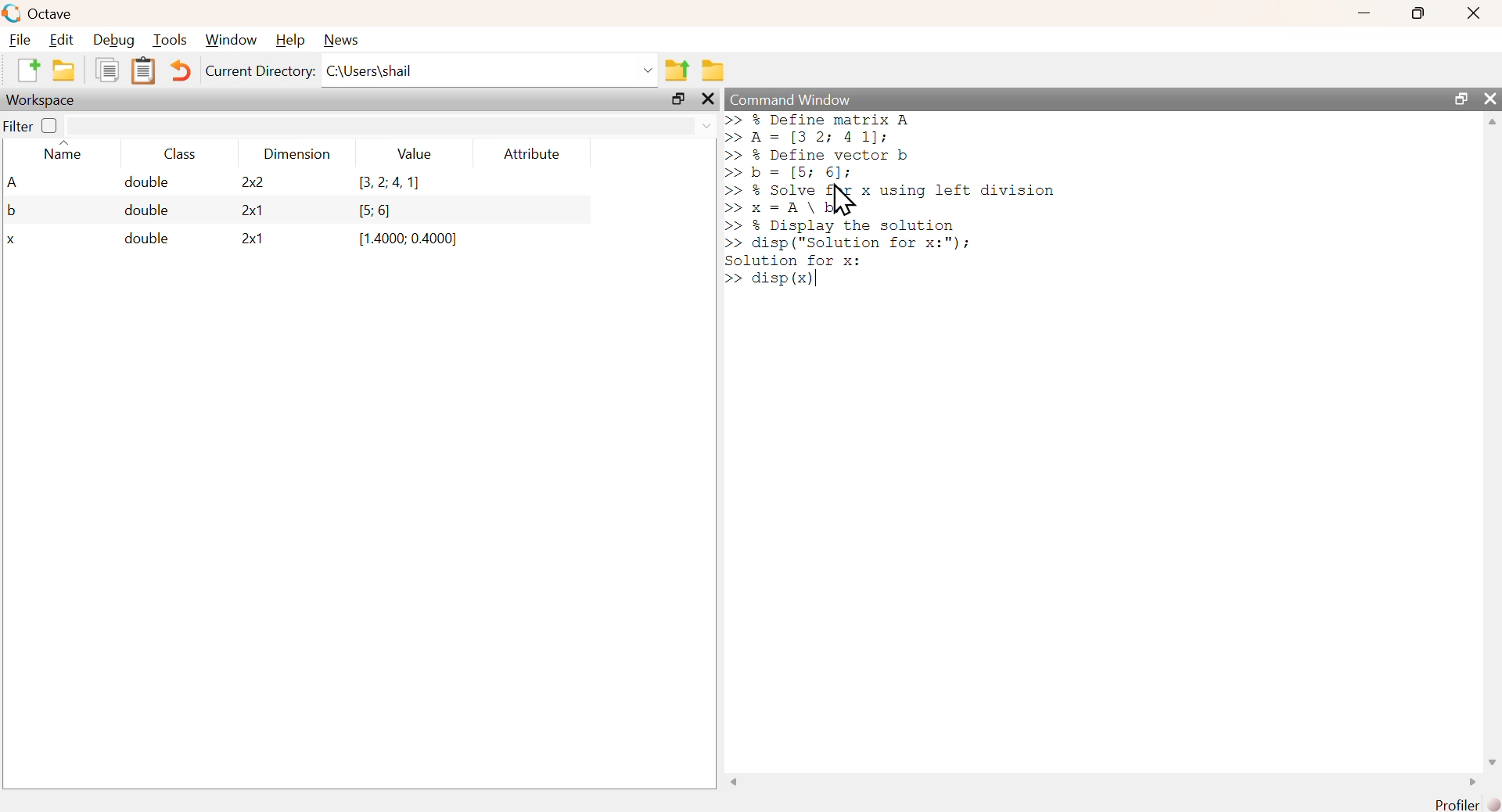 This screenshot has width=1502, height=812. What do you see at coordinates (21, 40) in the screenshot?
I see `file` at bounding box center [21, 40].